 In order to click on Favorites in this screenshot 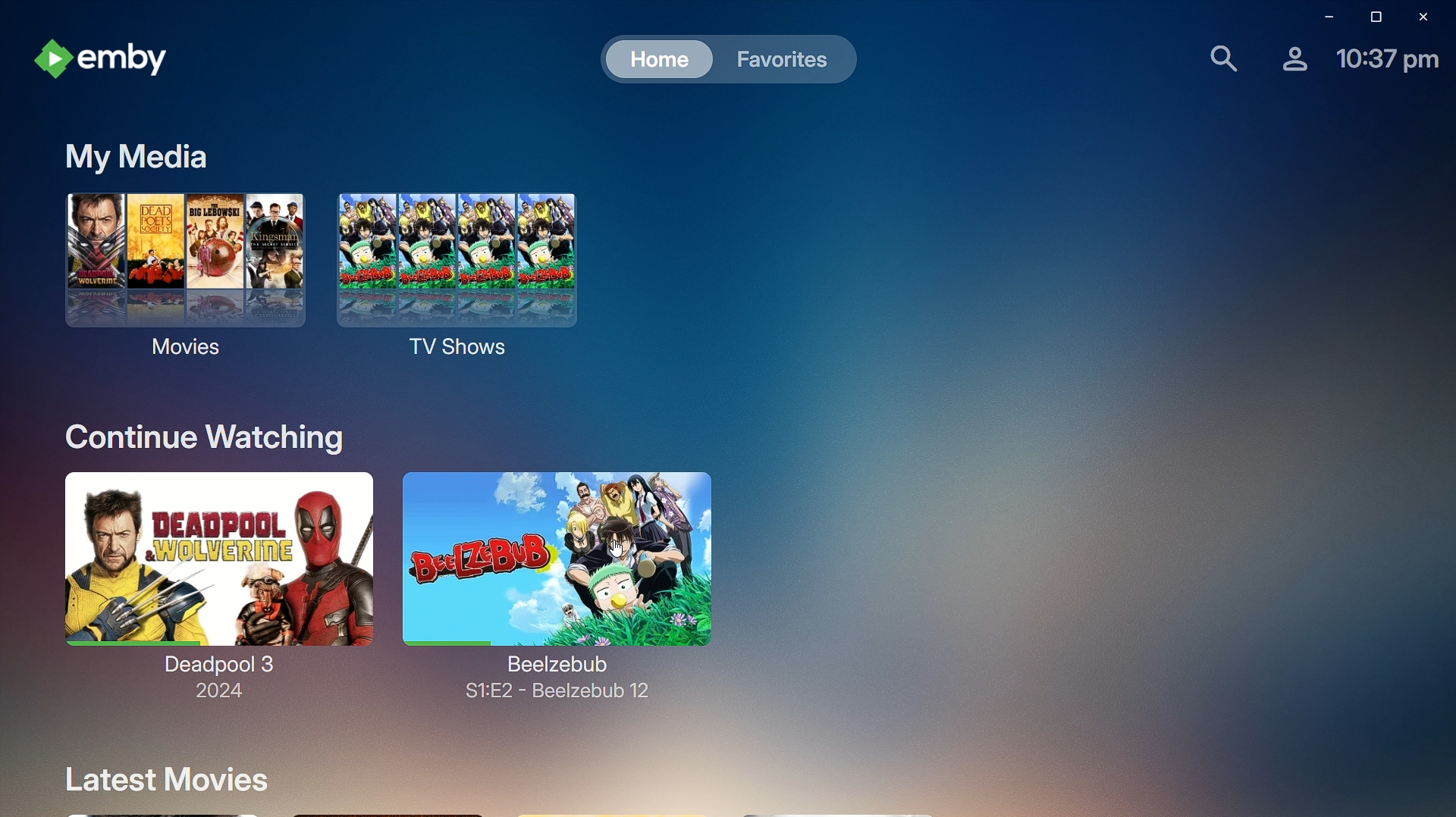, I will do `click(779, 59)`.